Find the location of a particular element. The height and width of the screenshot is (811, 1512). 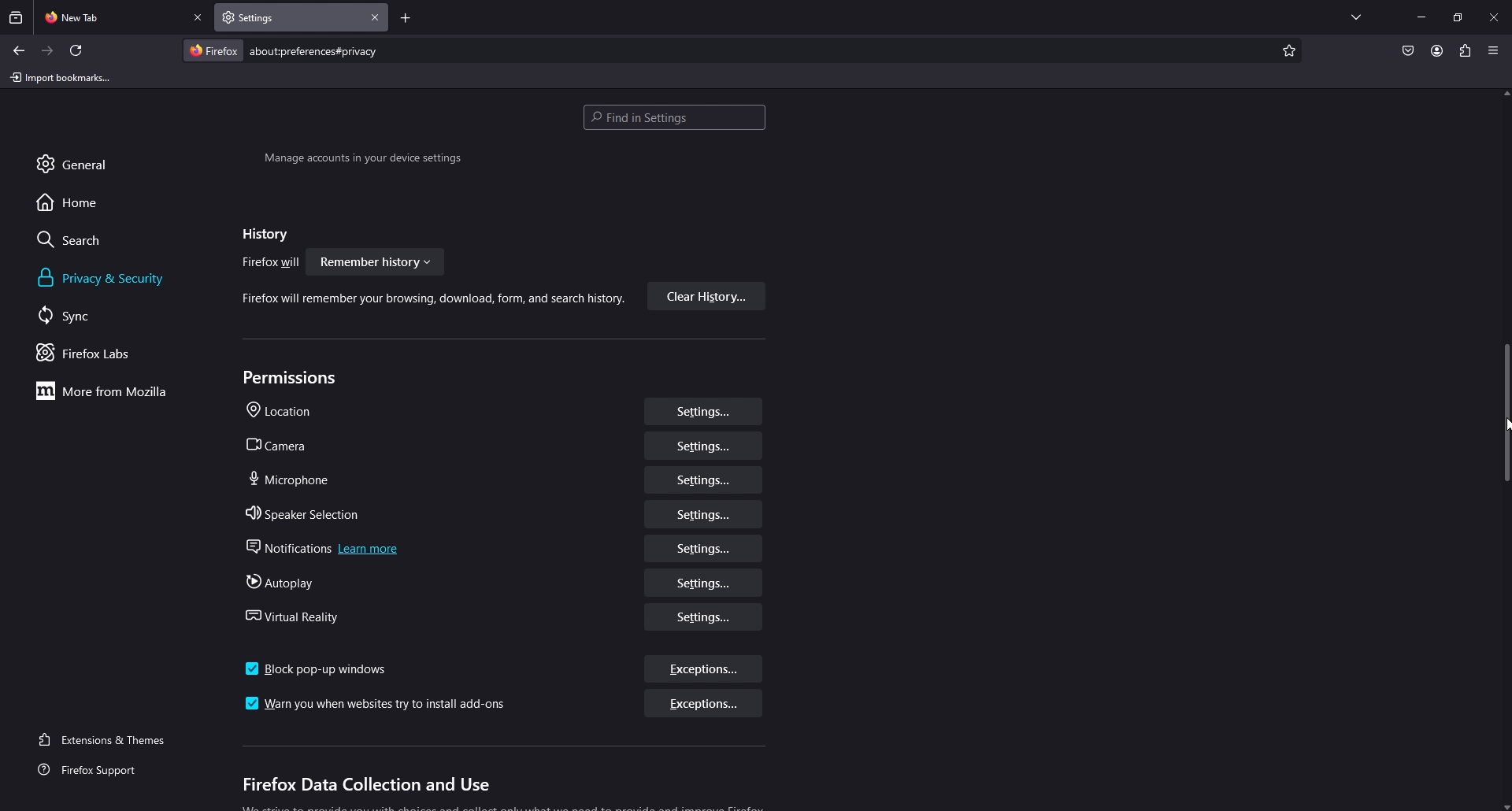

recent browsing is located at coordinates (17, 17).